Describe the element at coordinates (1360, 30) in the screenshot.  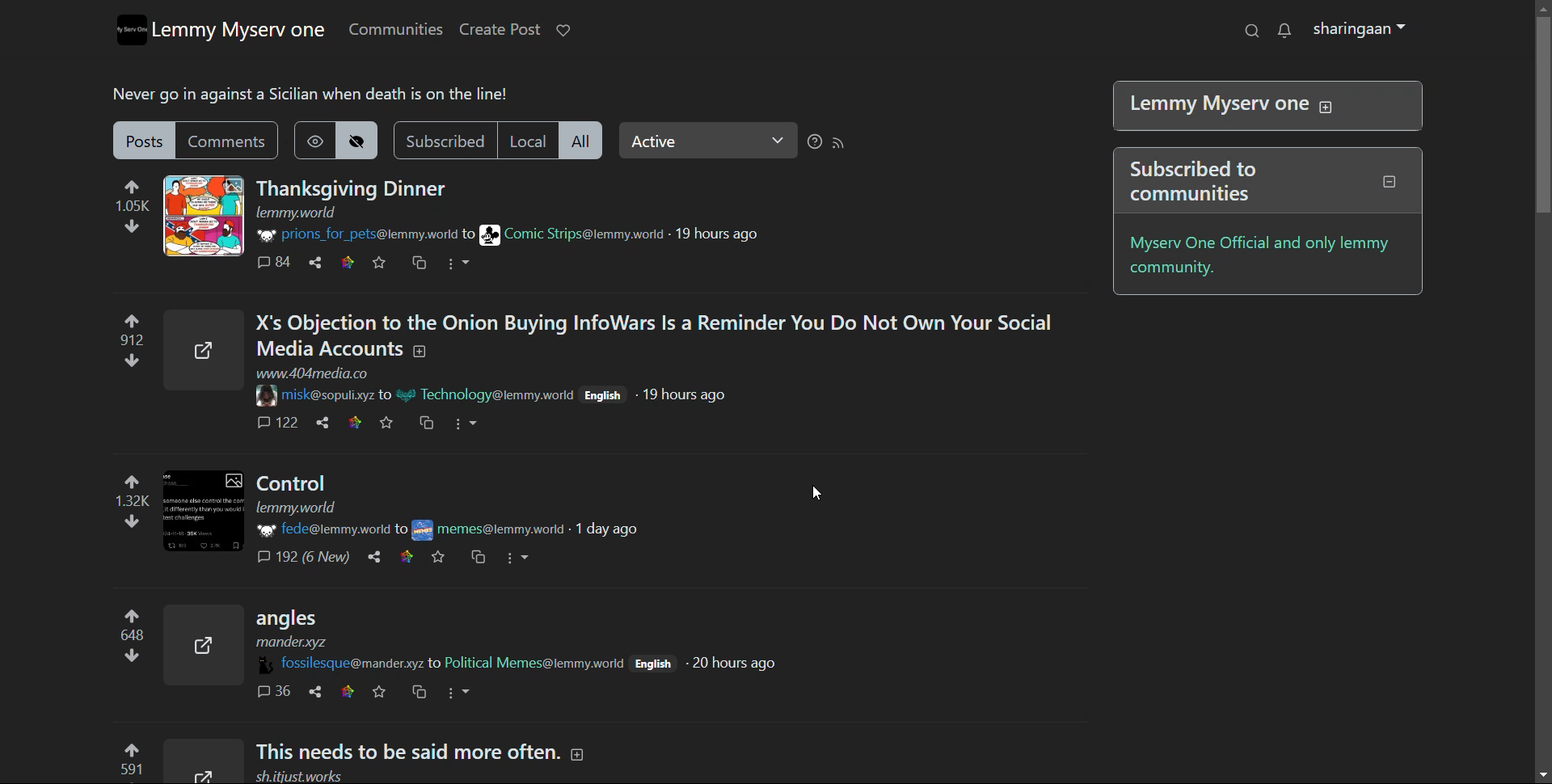
I see `sharingaan(profile)` at that location.